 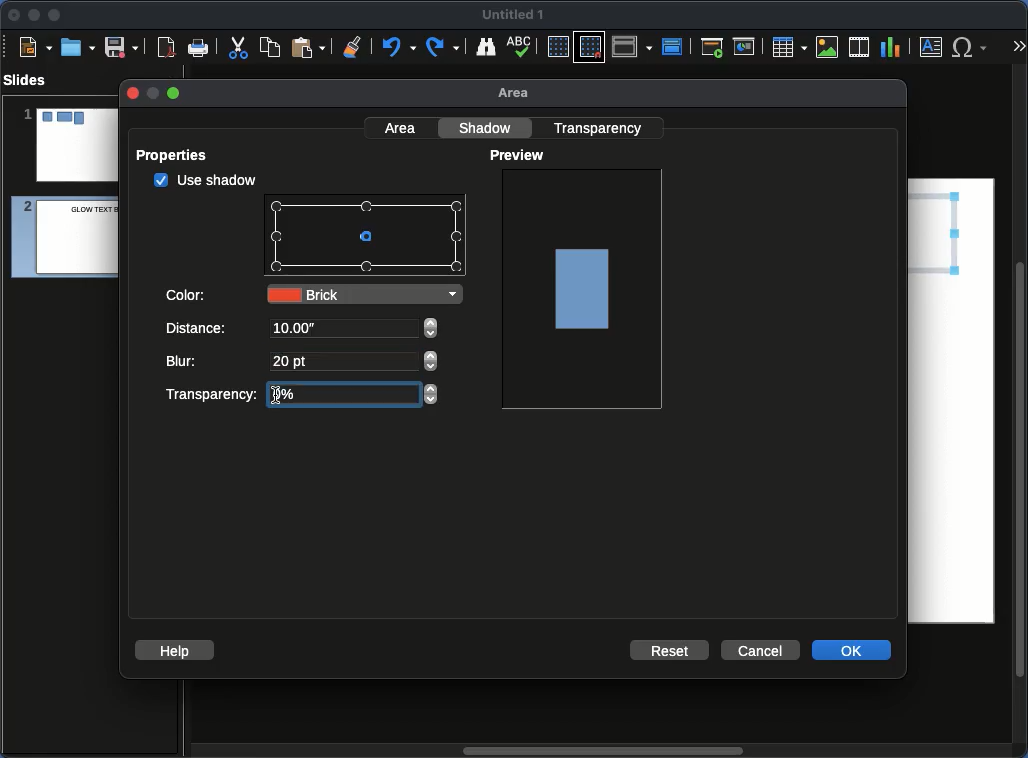 I want to click on Area, so click(x=519, y=94).